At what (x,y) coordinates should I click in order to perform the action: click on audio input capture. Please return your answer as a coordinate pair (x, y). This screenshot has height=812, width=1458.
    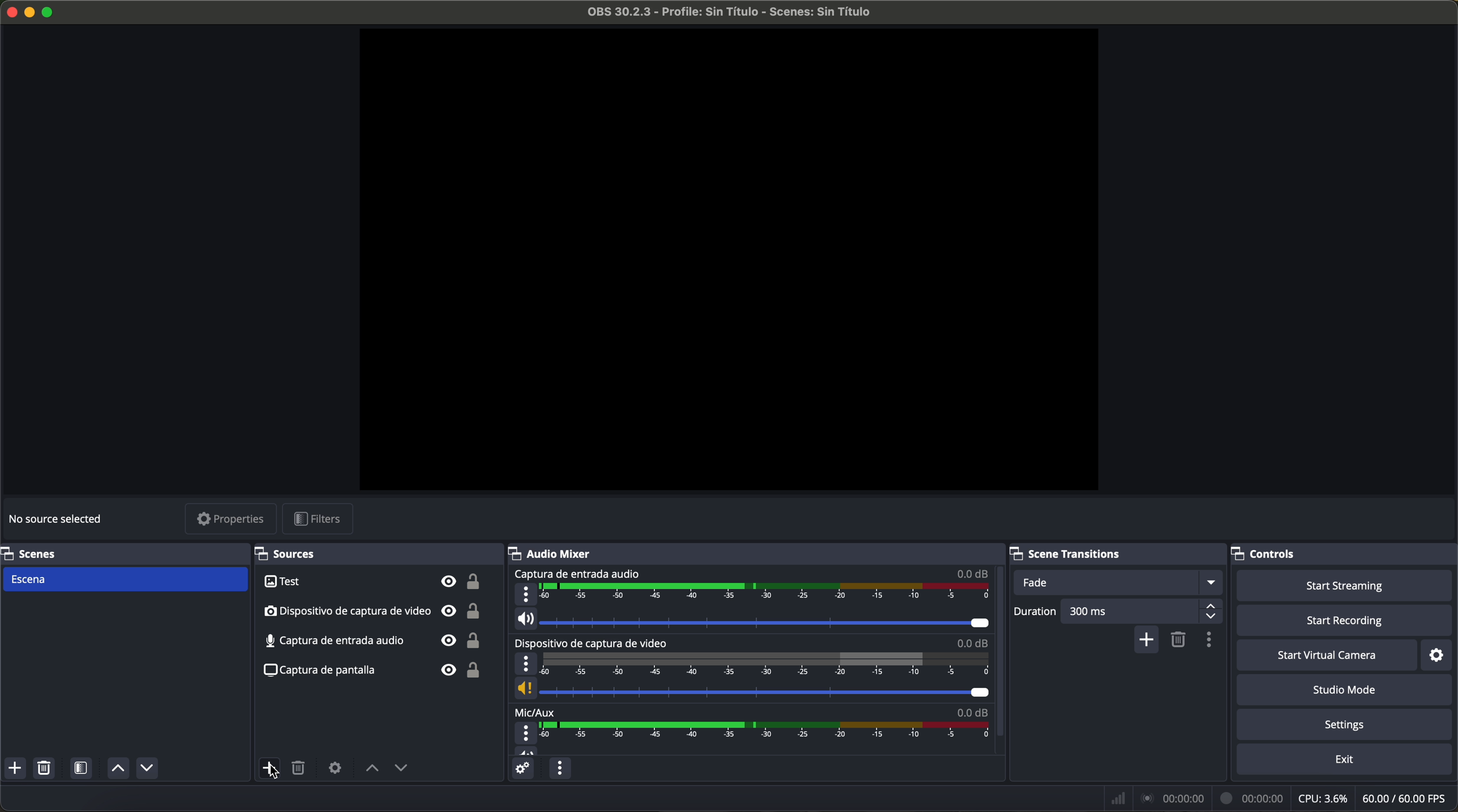
    Looking at the image, I should click on (375, 641).